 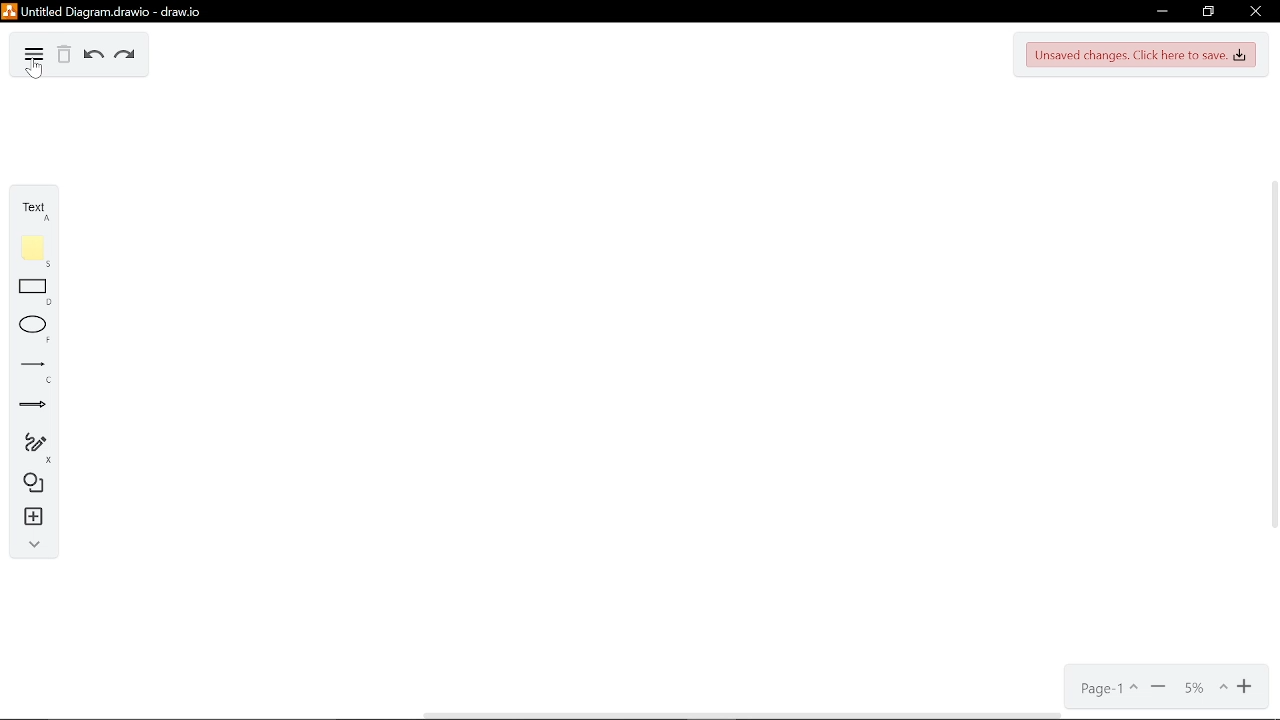 What do you see at coordinates (742, 715) in the screenshot?
I see `Horizontal scrollbar` at bounding box center [742, 715].